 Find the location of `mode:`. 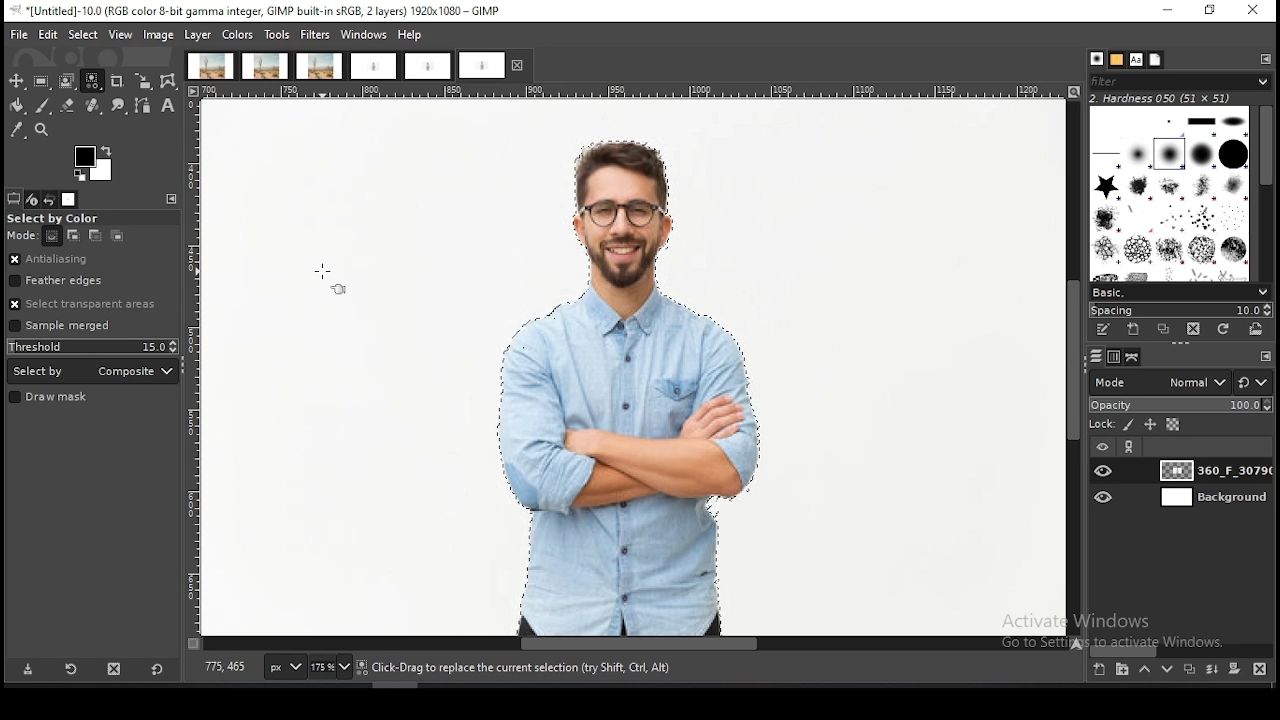

mode: is located at coordinates (23, 236).